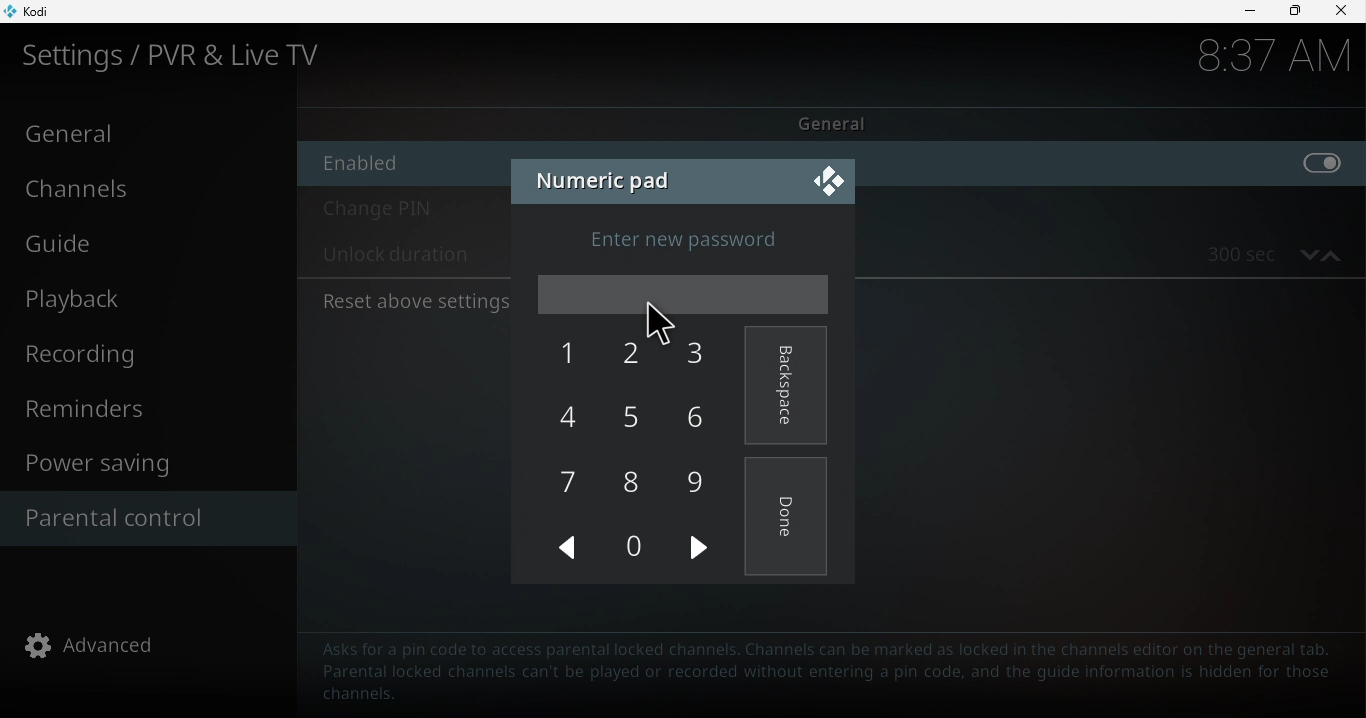  What do you see at coordinates (187, 56) in the screenshot?
I see `Settings/PVR and Live TV` at bounding box center [187, 56].